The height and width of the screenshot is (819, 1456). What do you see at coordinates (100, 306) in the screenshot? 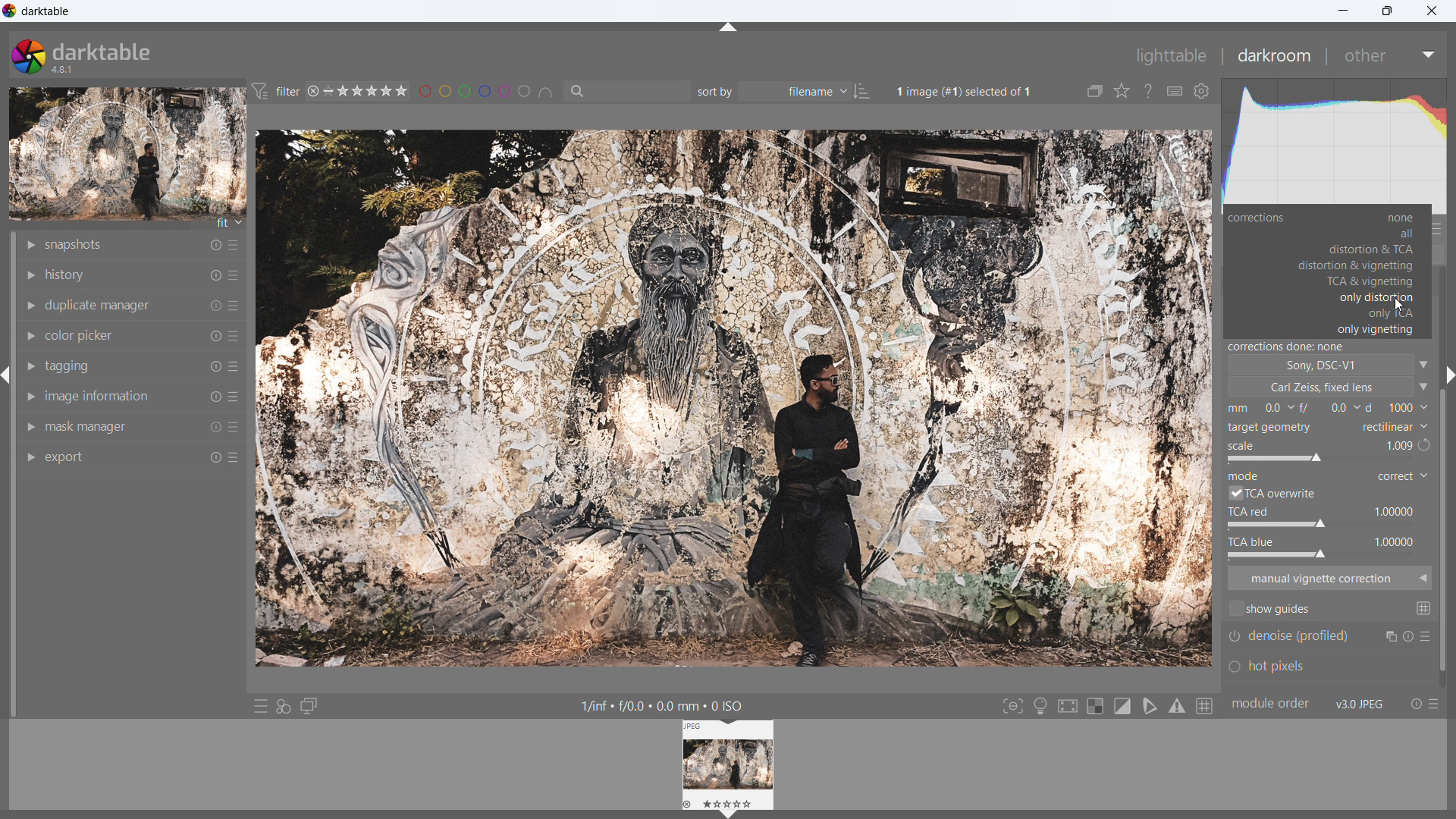
I see `duplicate manager` at bounding box center [100, 306].